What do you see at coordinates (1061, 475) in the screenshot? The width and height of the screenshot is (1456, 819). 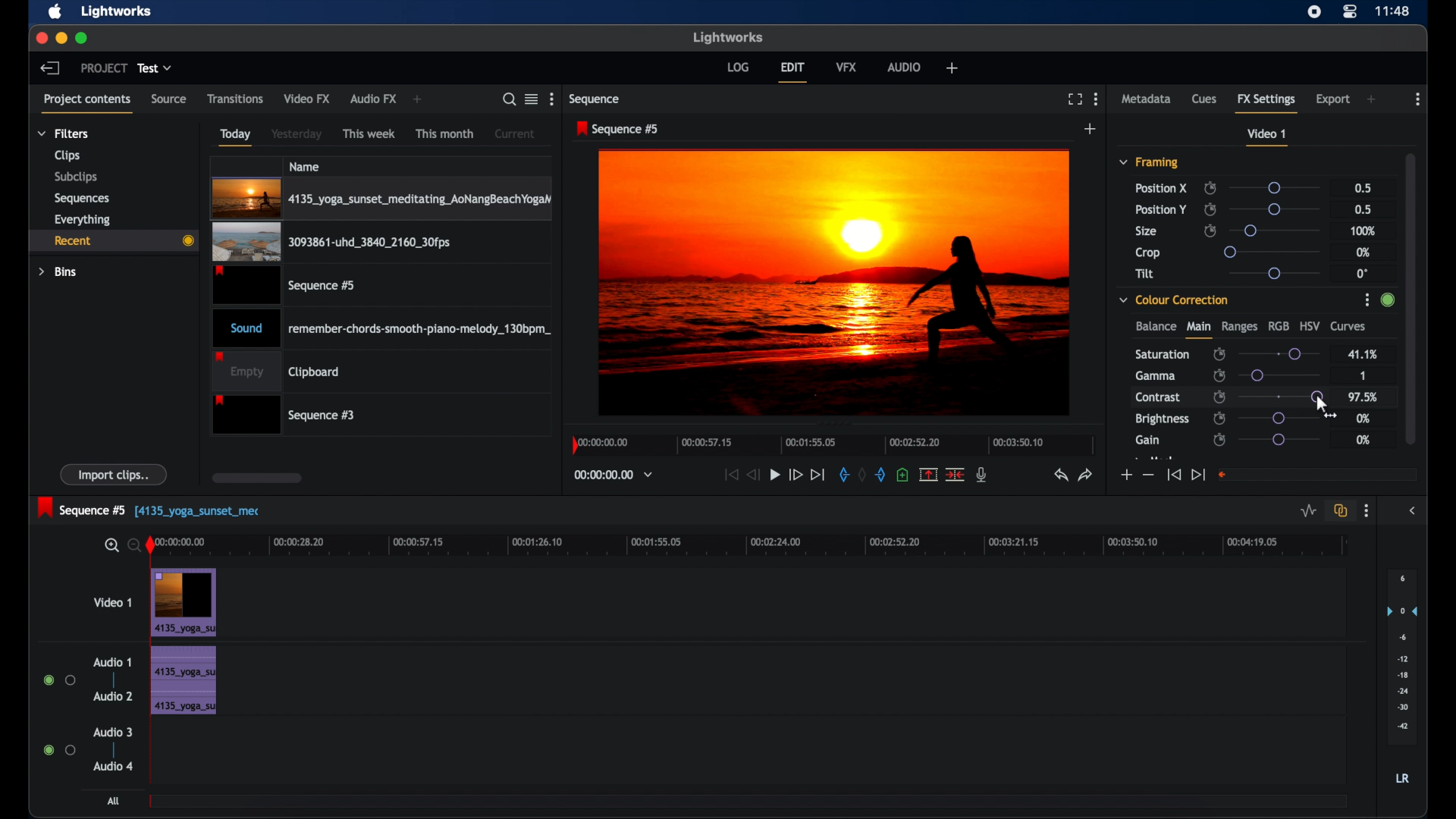 I see `undo` at bounding box center [1061, 475].